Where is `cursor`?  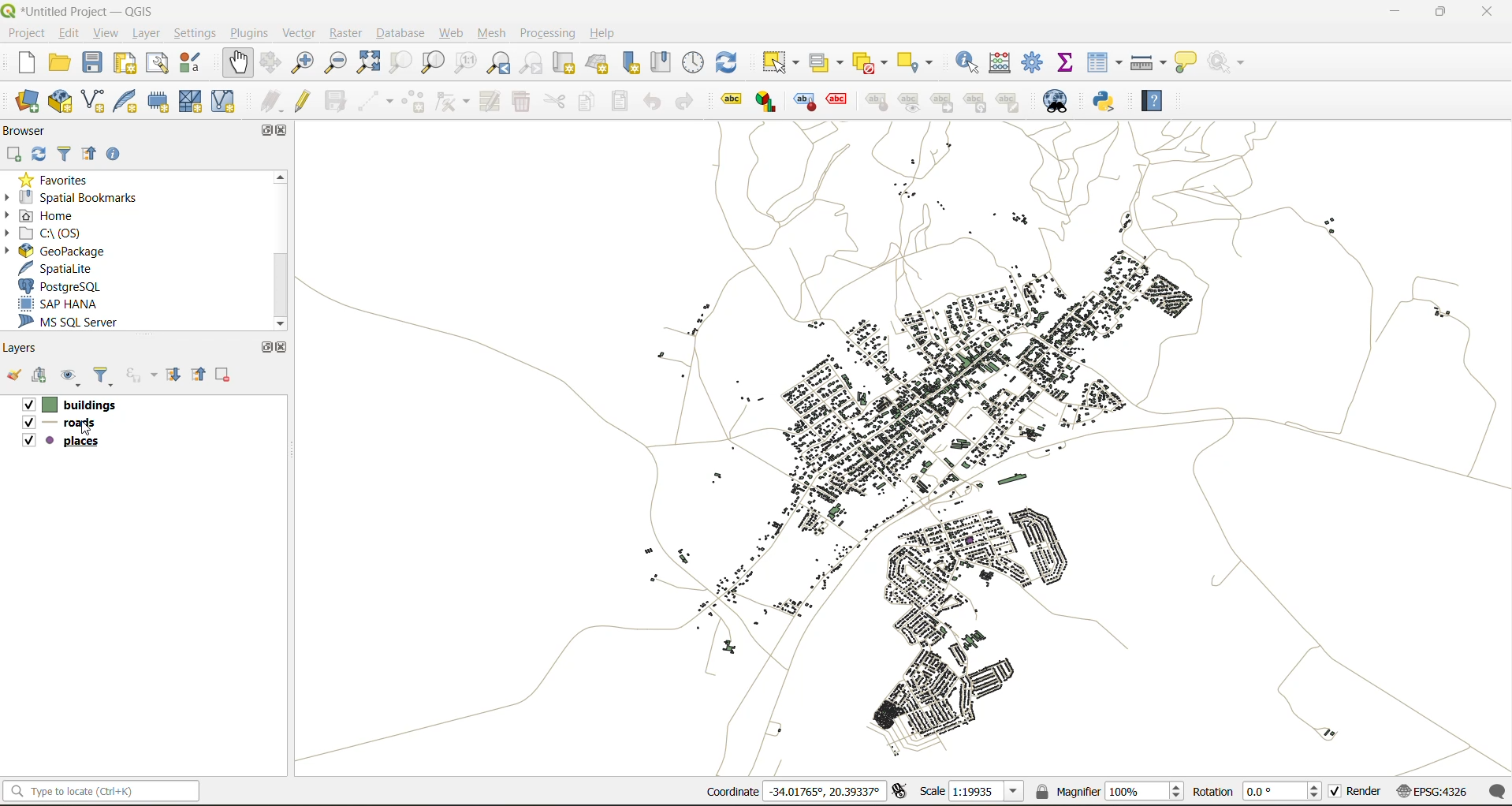
cursor is located at coordinates (86, 434).